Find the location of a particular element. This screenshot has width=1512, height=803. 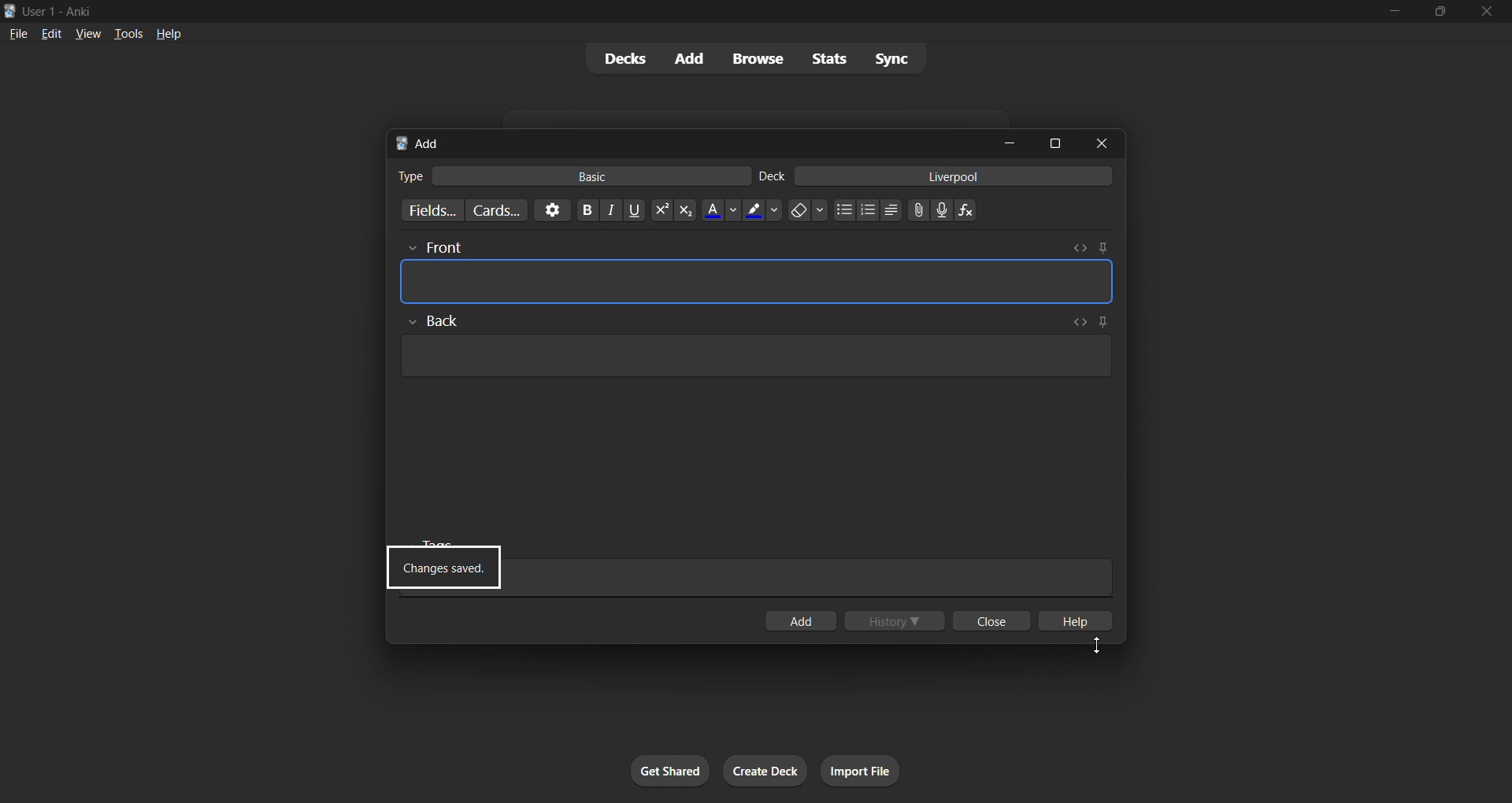

bullet points is located at coordinates (845, 209).